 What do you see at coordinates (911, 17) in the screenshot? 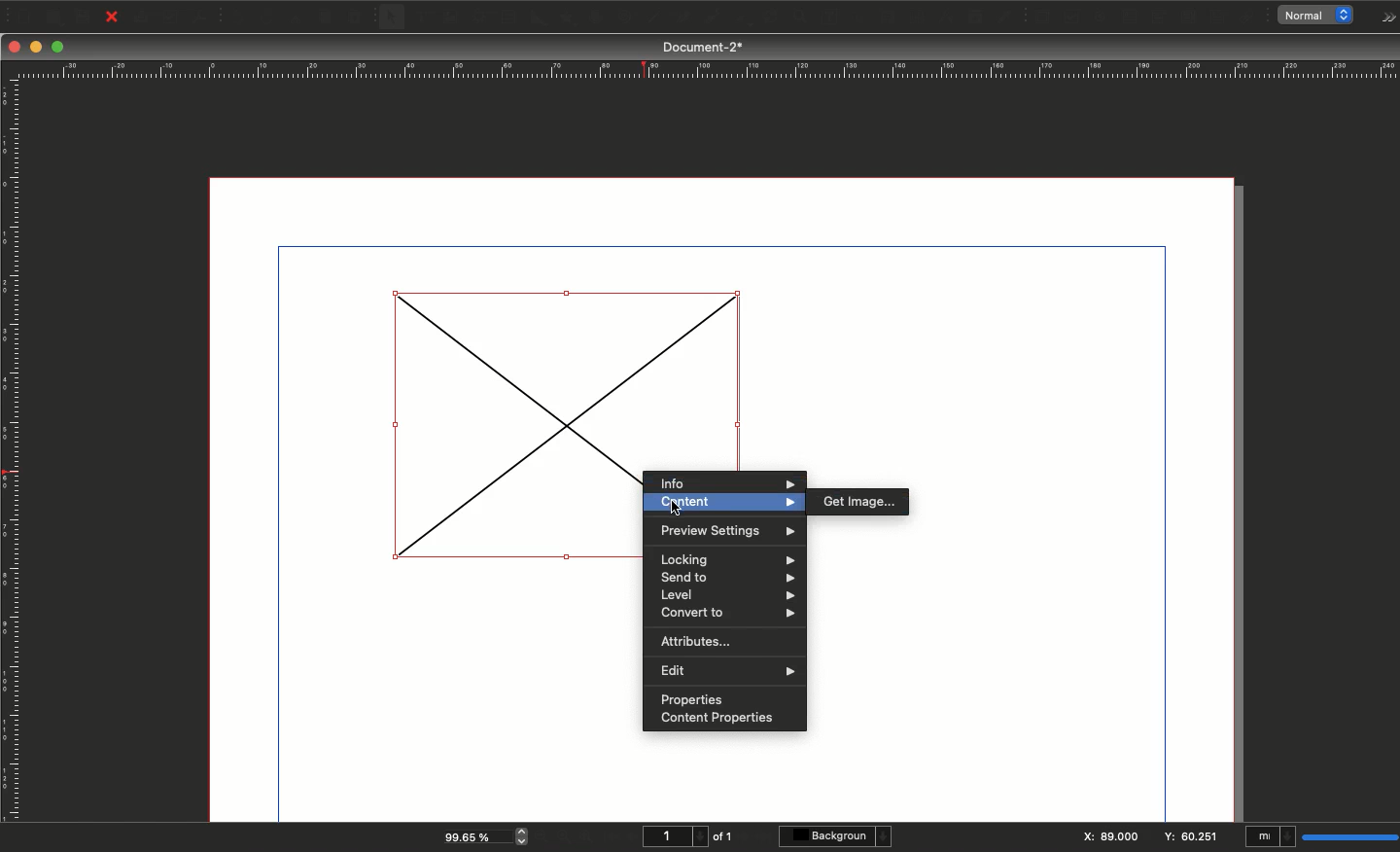
I see `Unlink text frames` at bounding box center [911, 17].